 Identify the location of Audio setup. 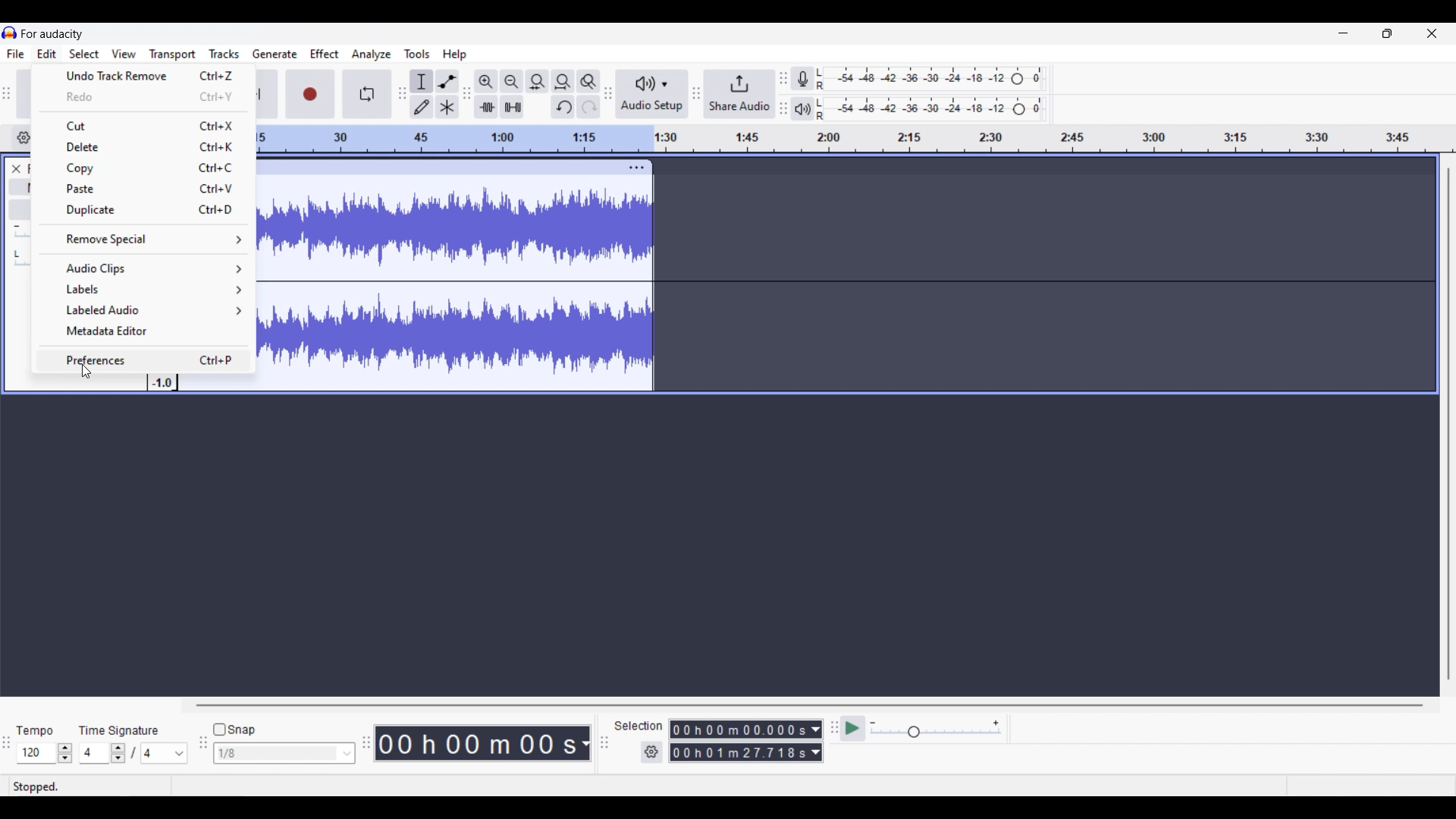
(651, 94).